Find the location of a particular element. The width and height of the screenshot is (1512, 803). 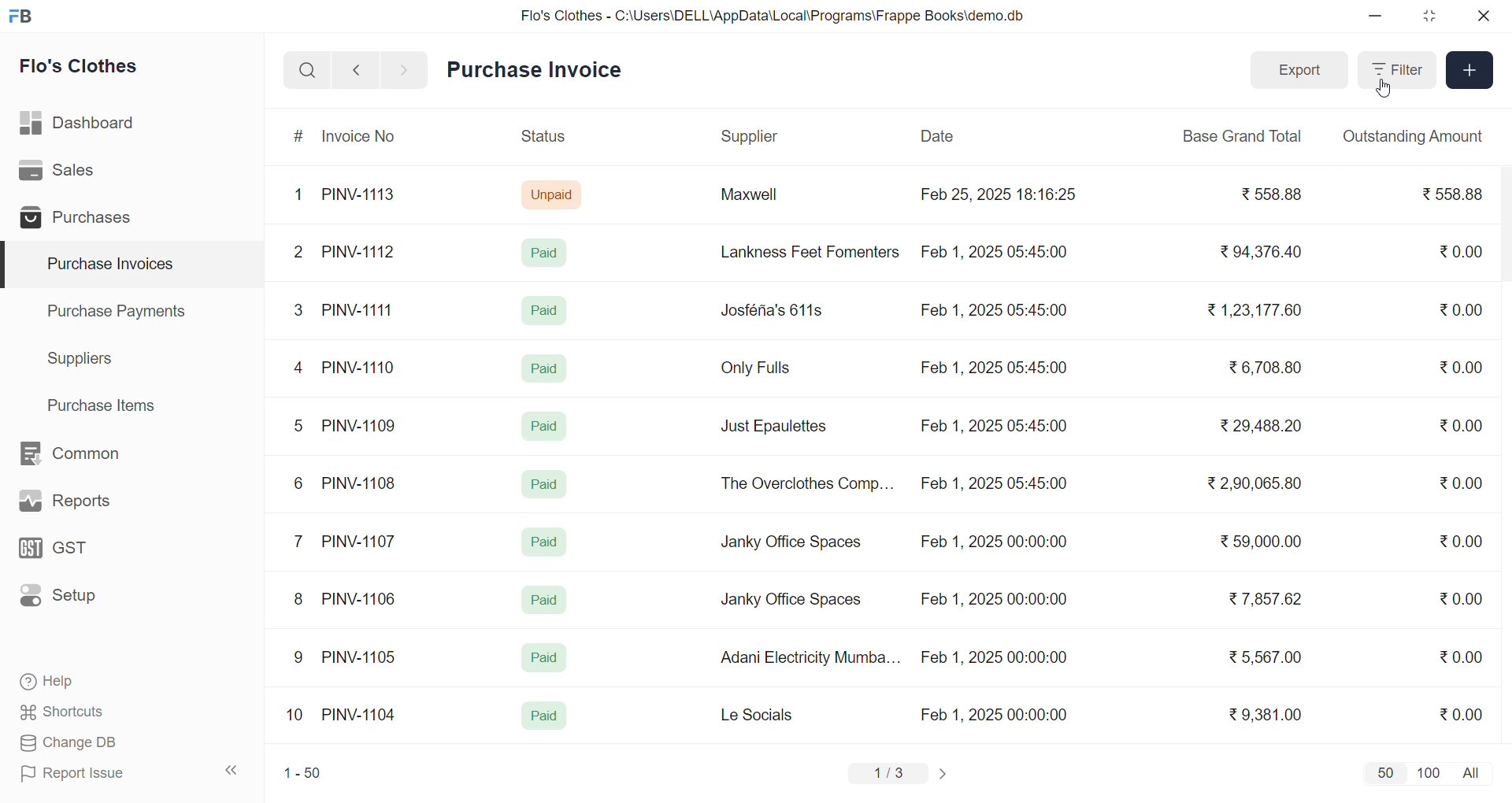

₹9,381.00 is located at coordinates (1266, 715).